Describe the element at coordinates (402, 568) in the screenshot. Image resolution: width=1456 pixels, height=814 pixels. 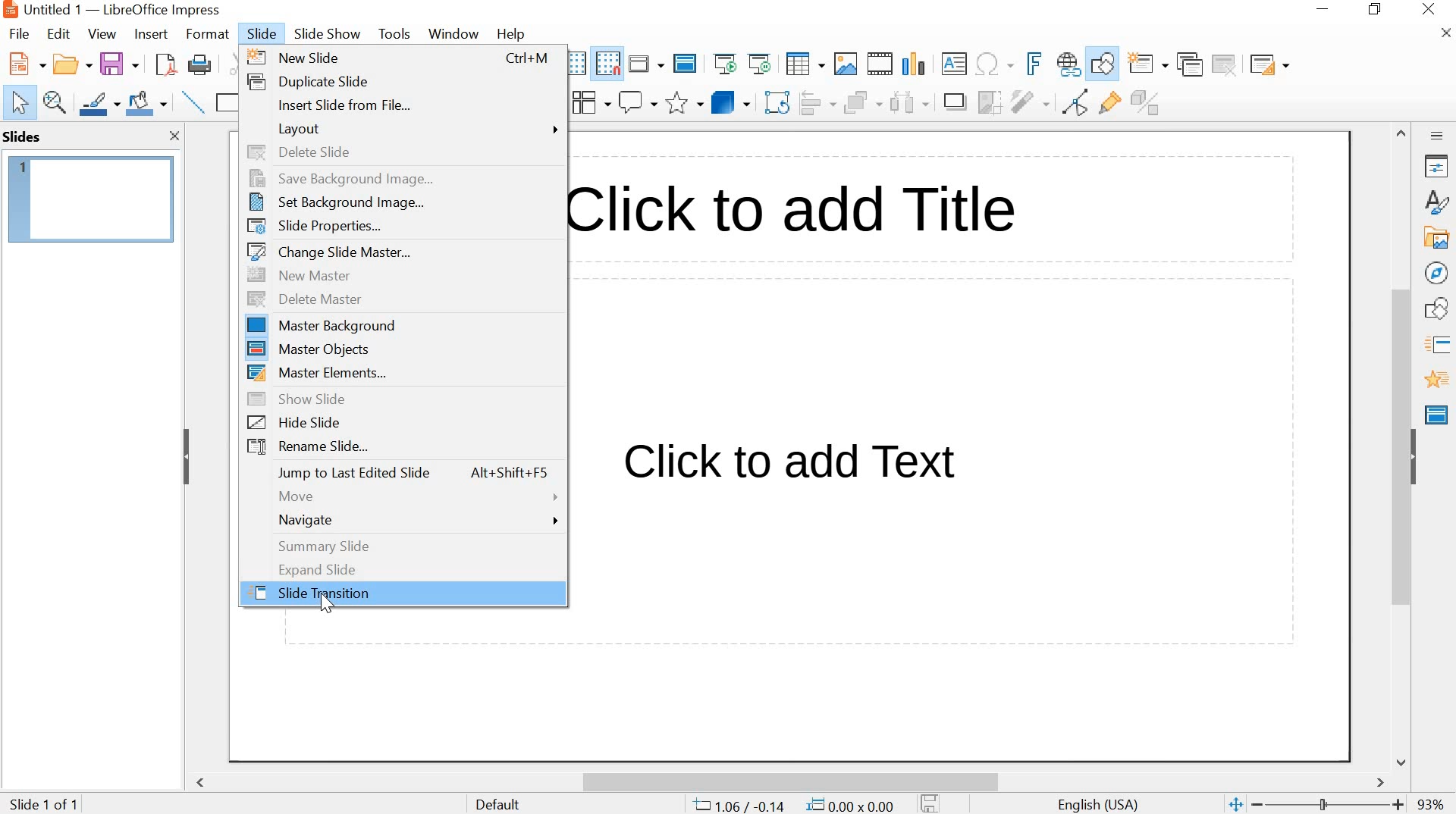
I see `EXPAND SLIDE` at that location.